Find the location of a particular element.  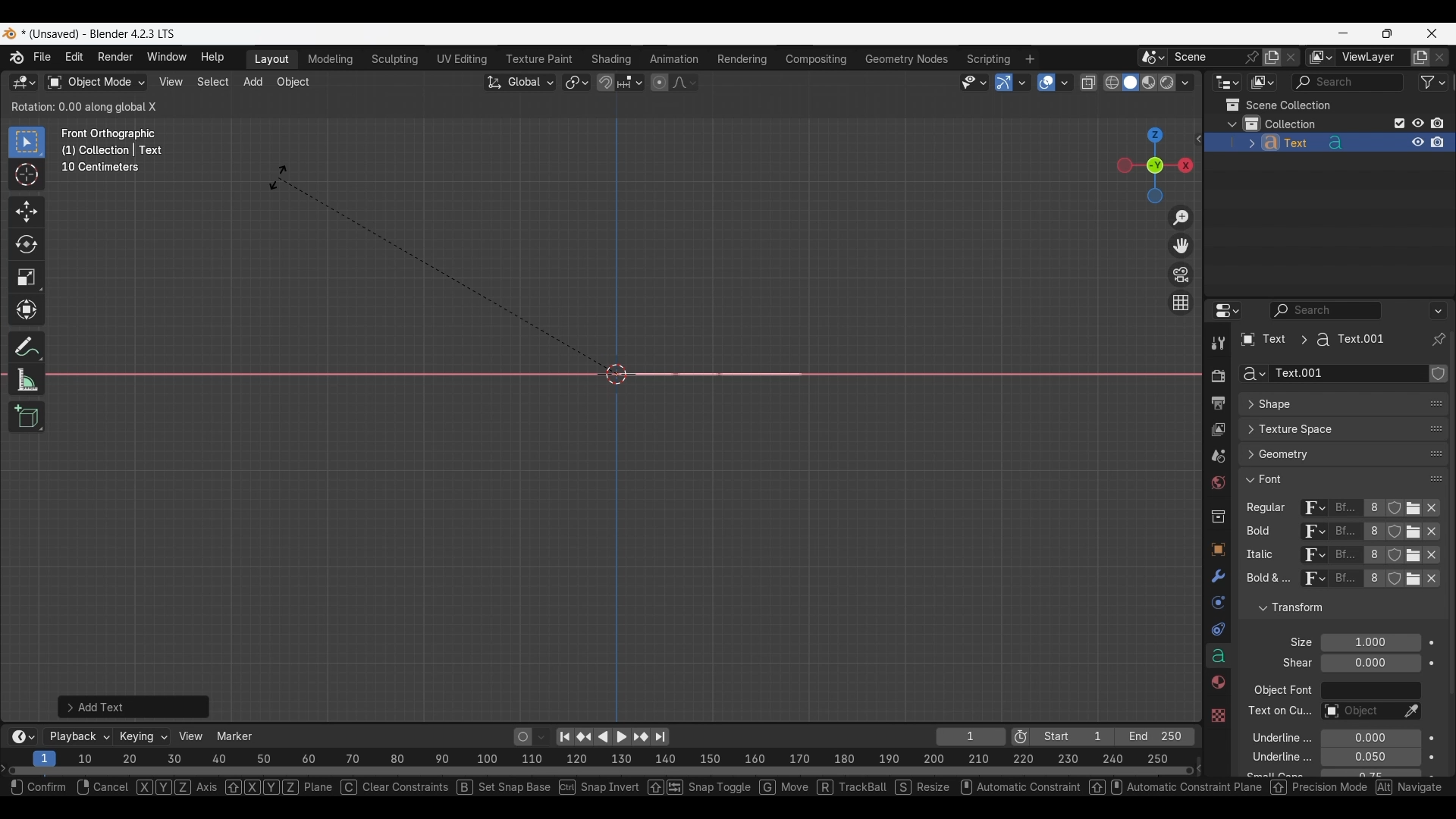

Display number of users of this data for respective attribute is located at coordinates (1374, 544).